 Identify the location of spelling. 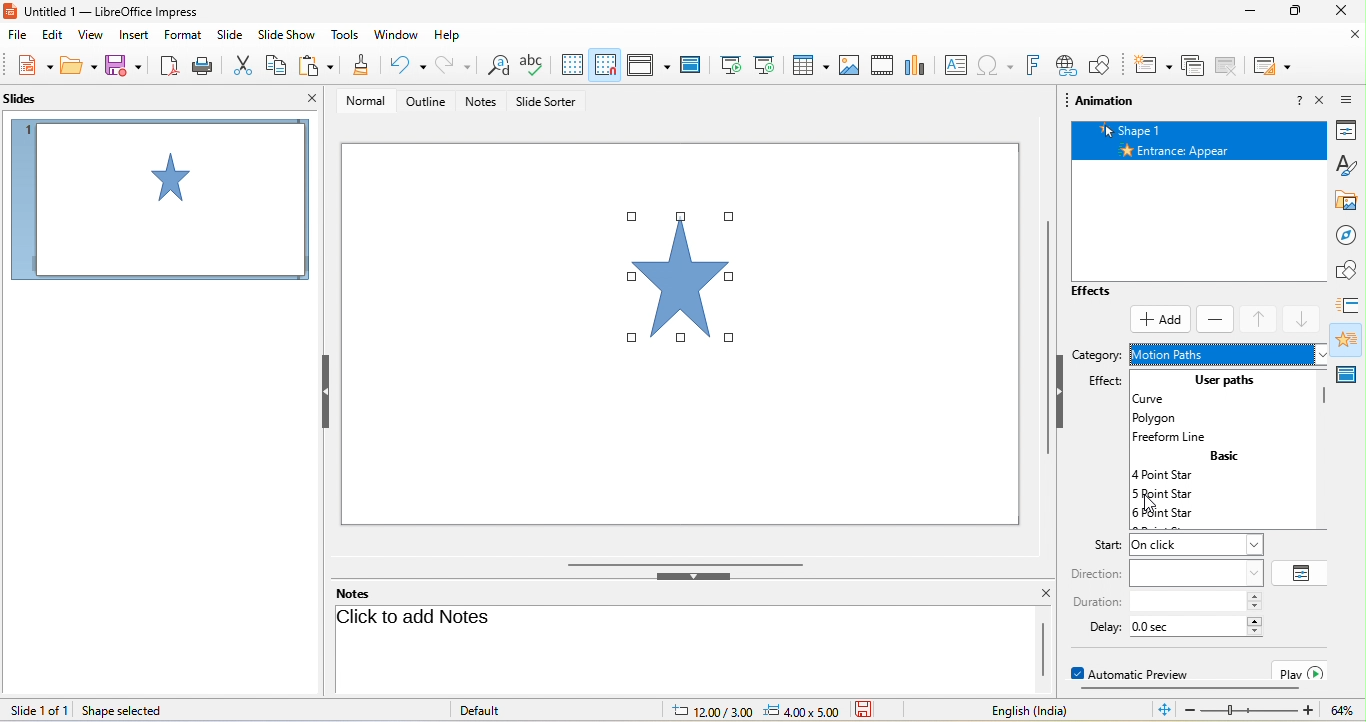
(533, 65).